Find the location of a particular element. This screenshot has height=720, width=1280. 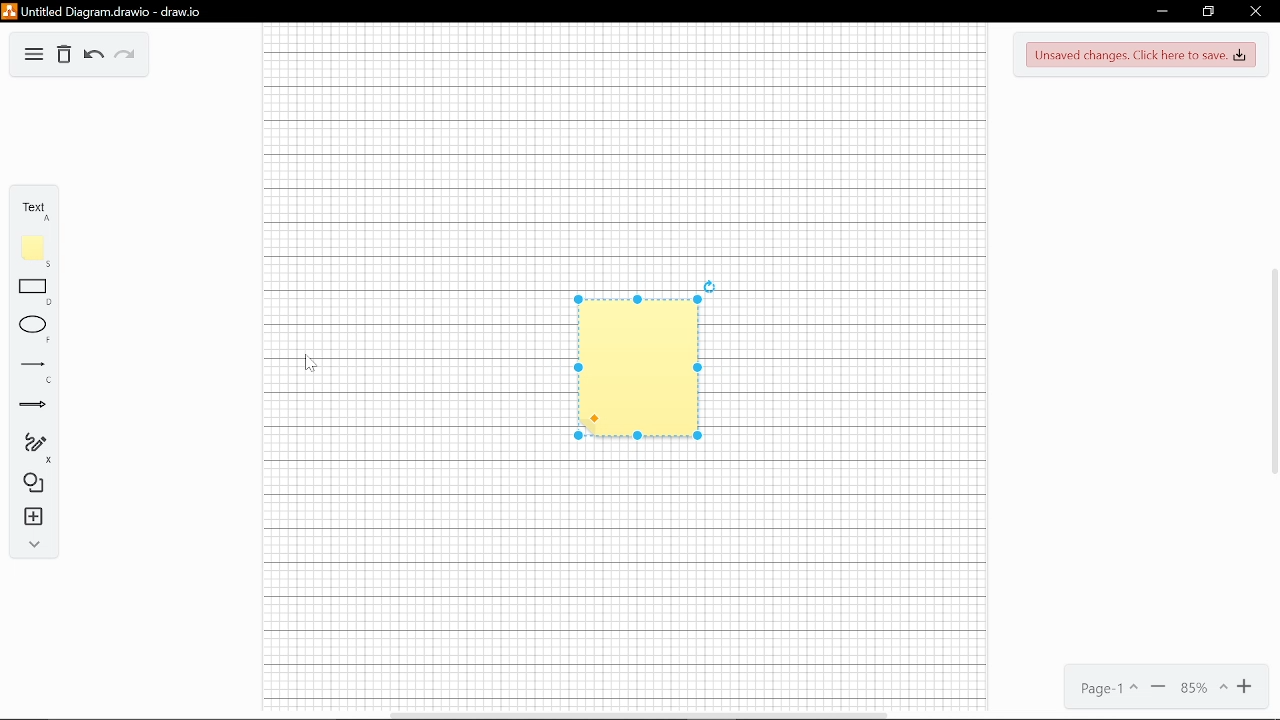

Ellipse is located at coordinates (33, 326).